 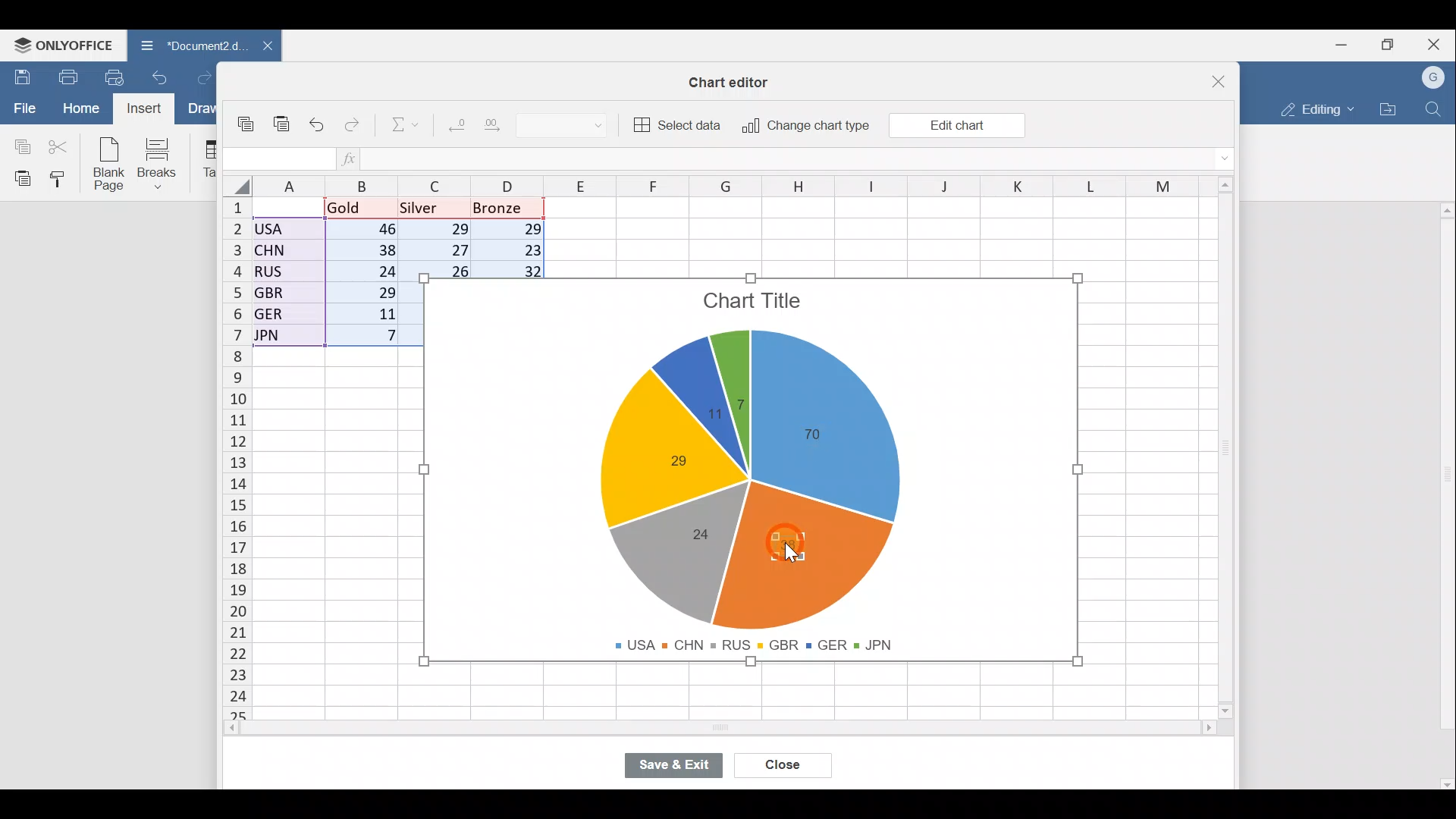 I want to click on Chart label, so click(x=740, y=395).